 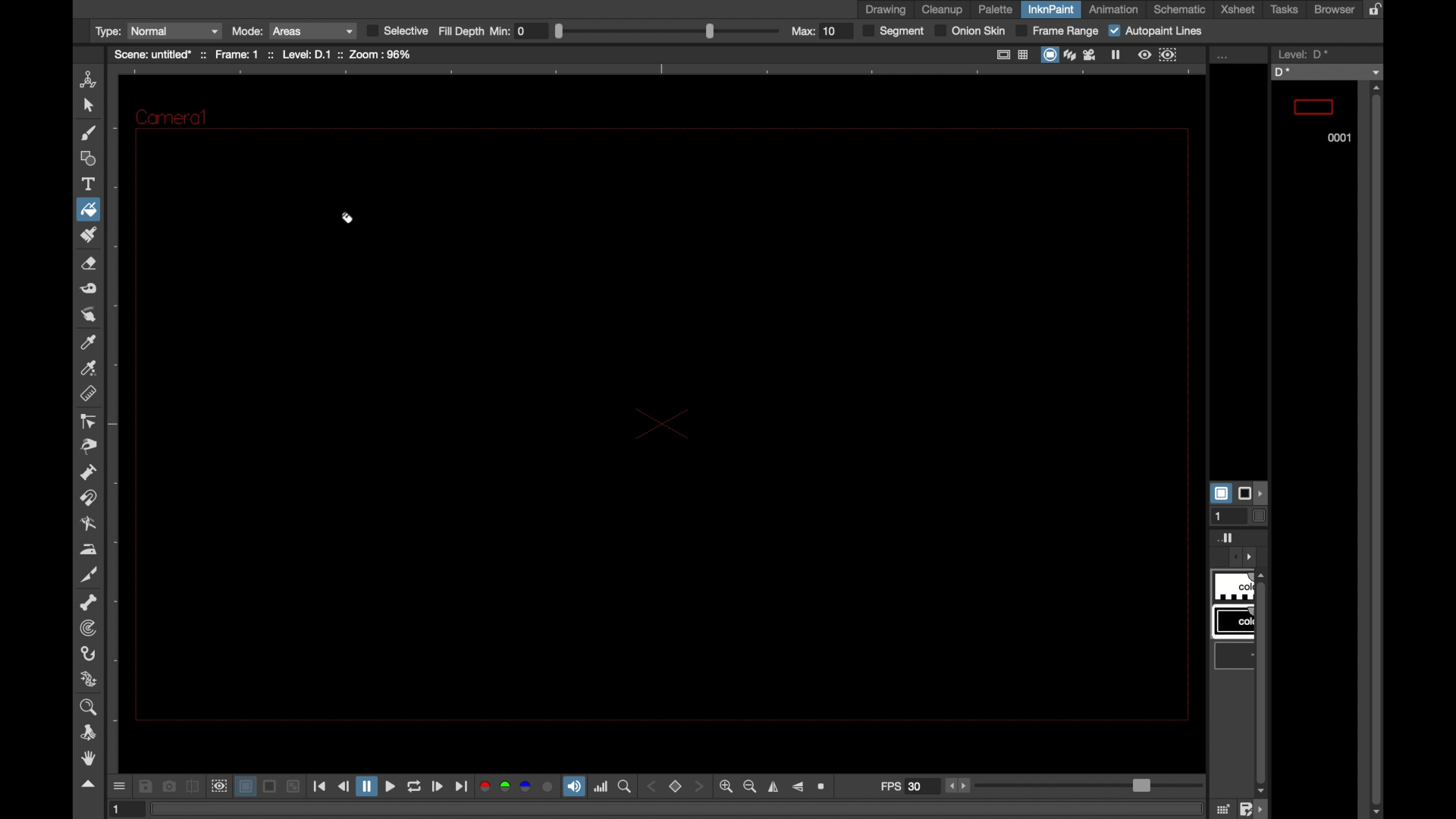 I want to click on Mode:, so click(x=248, y=30).